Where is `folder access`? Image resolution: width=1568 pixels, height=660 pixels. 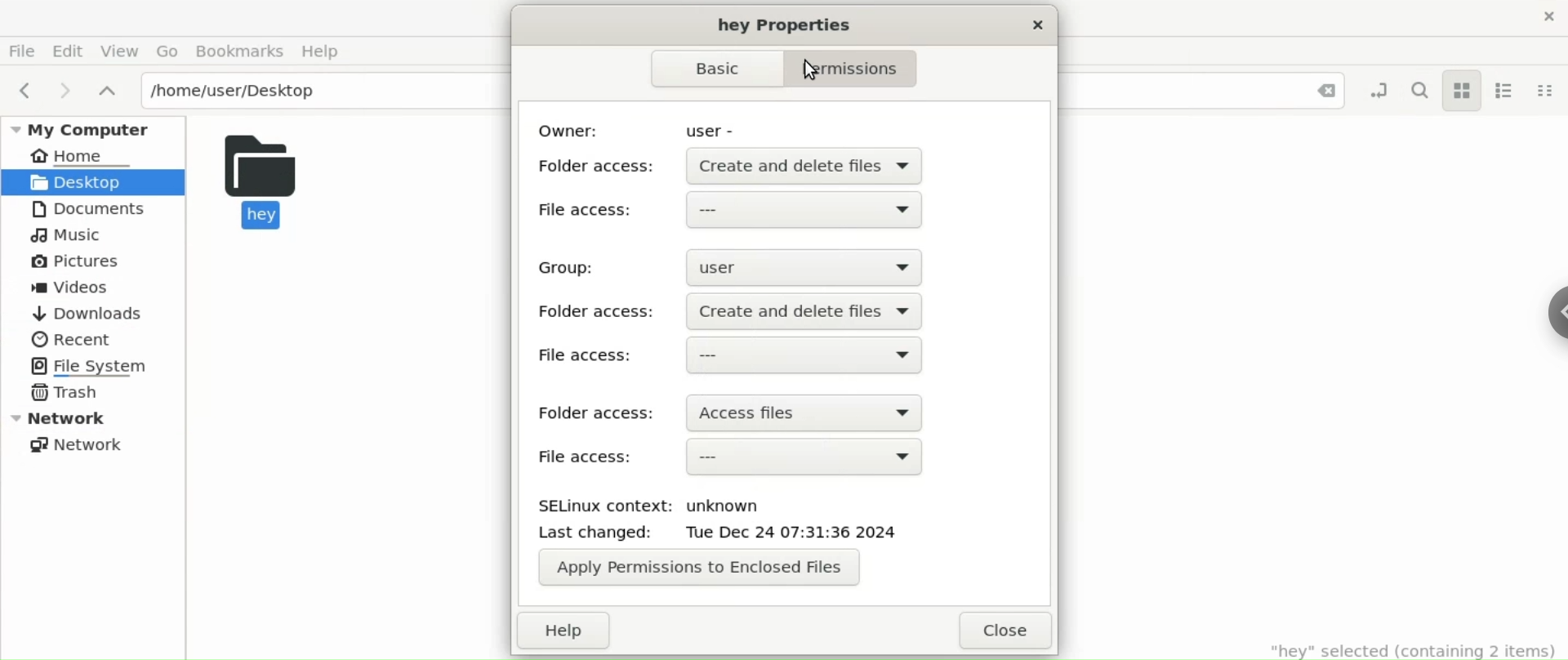 folder access is located at coordinates (598, 410).